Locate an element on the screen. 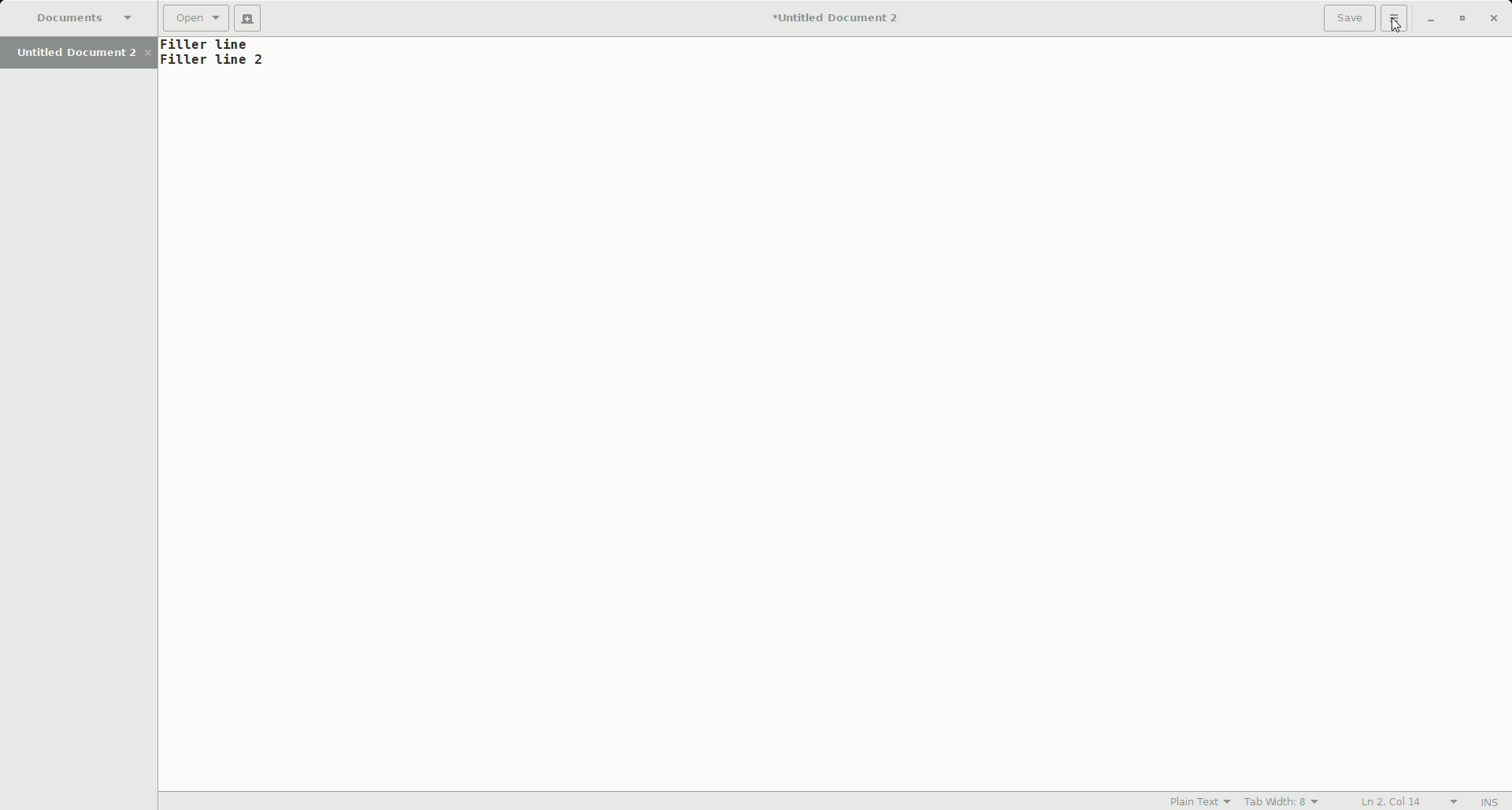  L2, Col 14 is located at coordinates (1392, 801).